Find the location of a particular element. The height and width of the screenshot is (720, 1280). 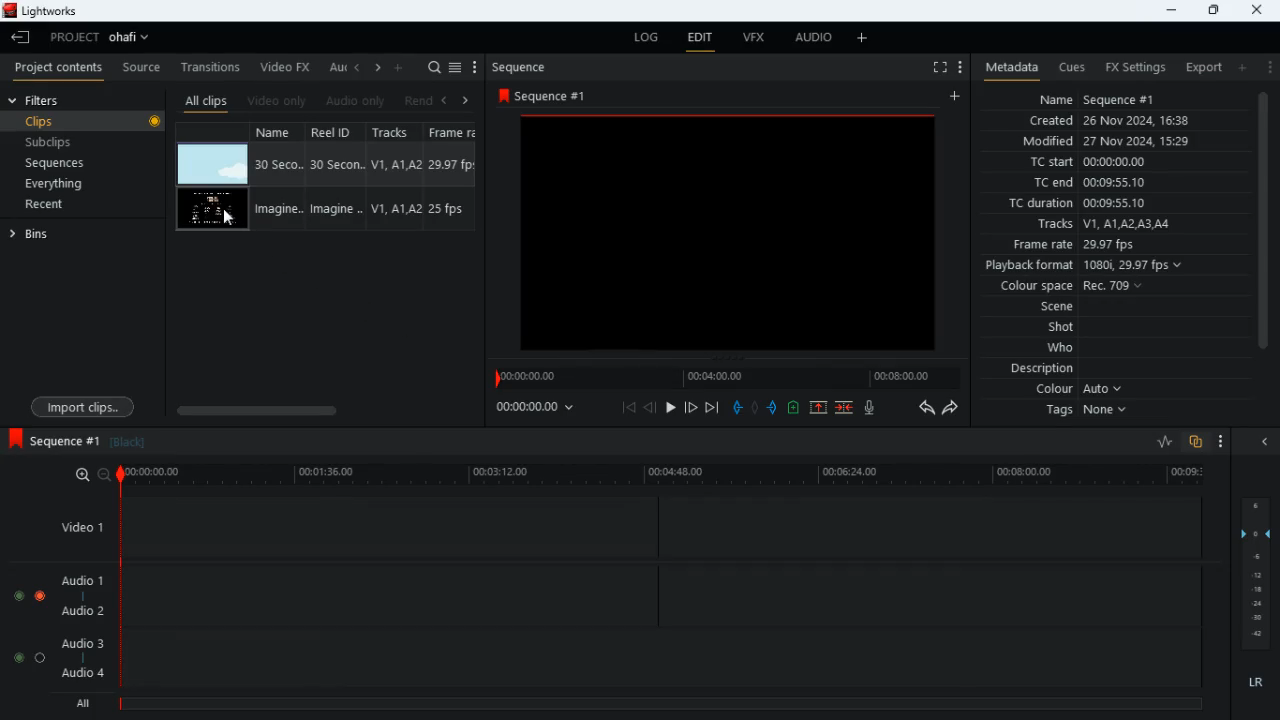

push is located at coordinates (775, 409).